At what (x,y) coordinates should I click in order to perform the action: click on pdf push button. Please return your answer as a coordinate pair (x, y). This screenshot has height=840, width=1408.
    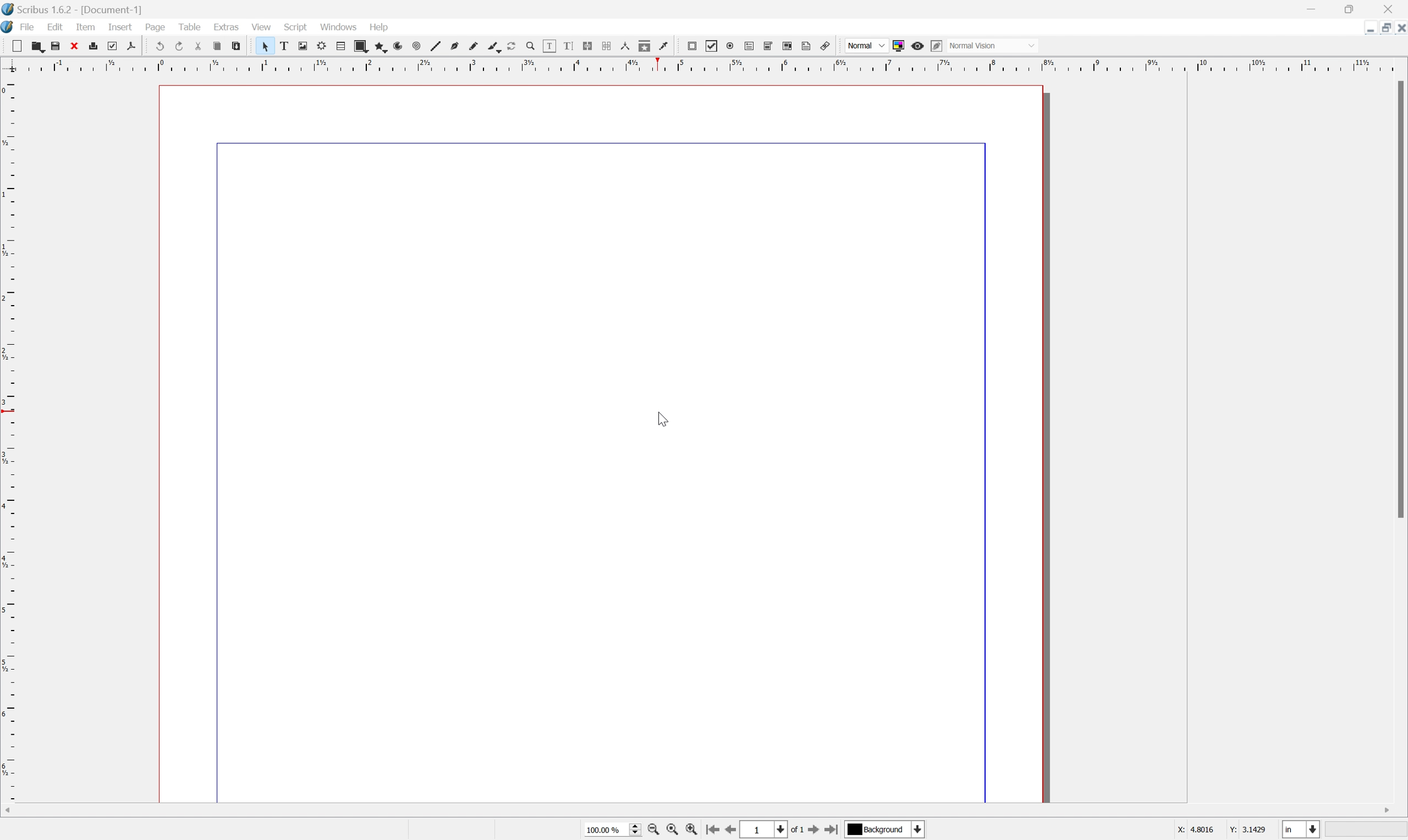
    Looking at the image, I should click on (693, 46).